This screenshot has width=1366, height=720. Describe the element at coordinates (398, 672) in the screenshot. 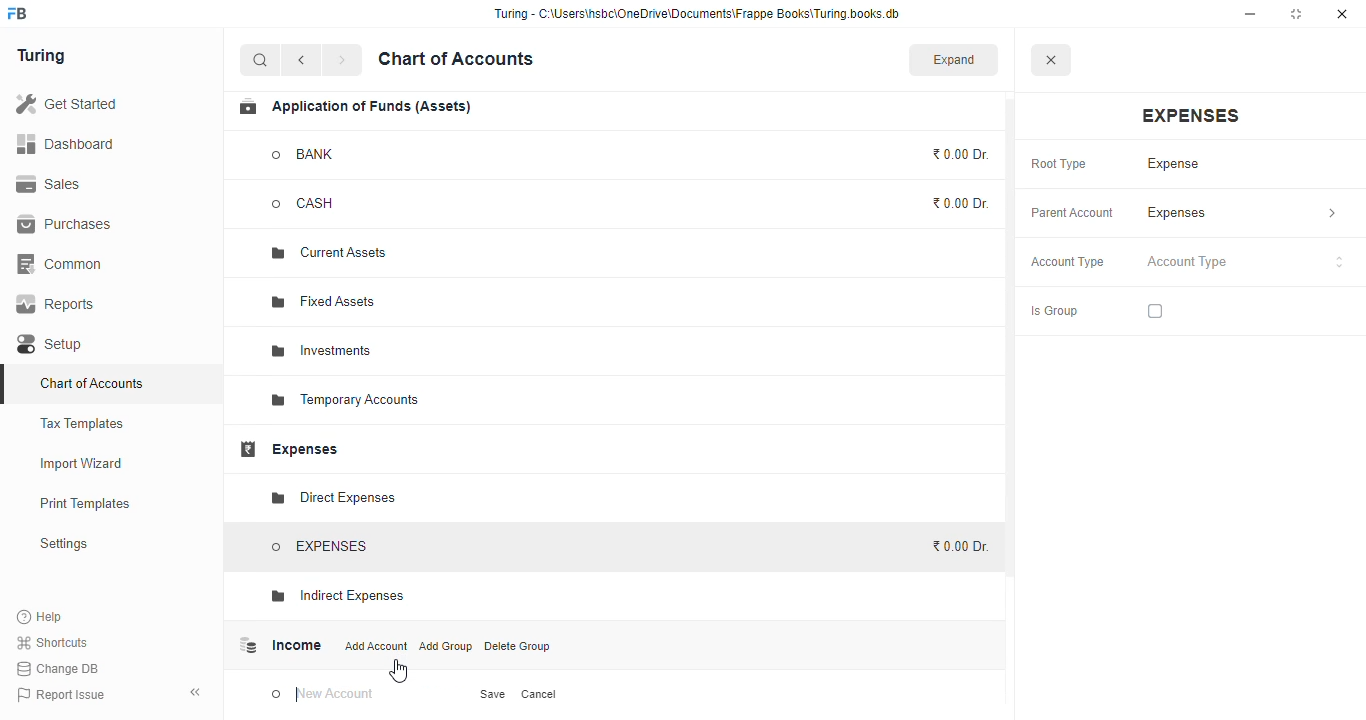

I see `cursor` at that location.